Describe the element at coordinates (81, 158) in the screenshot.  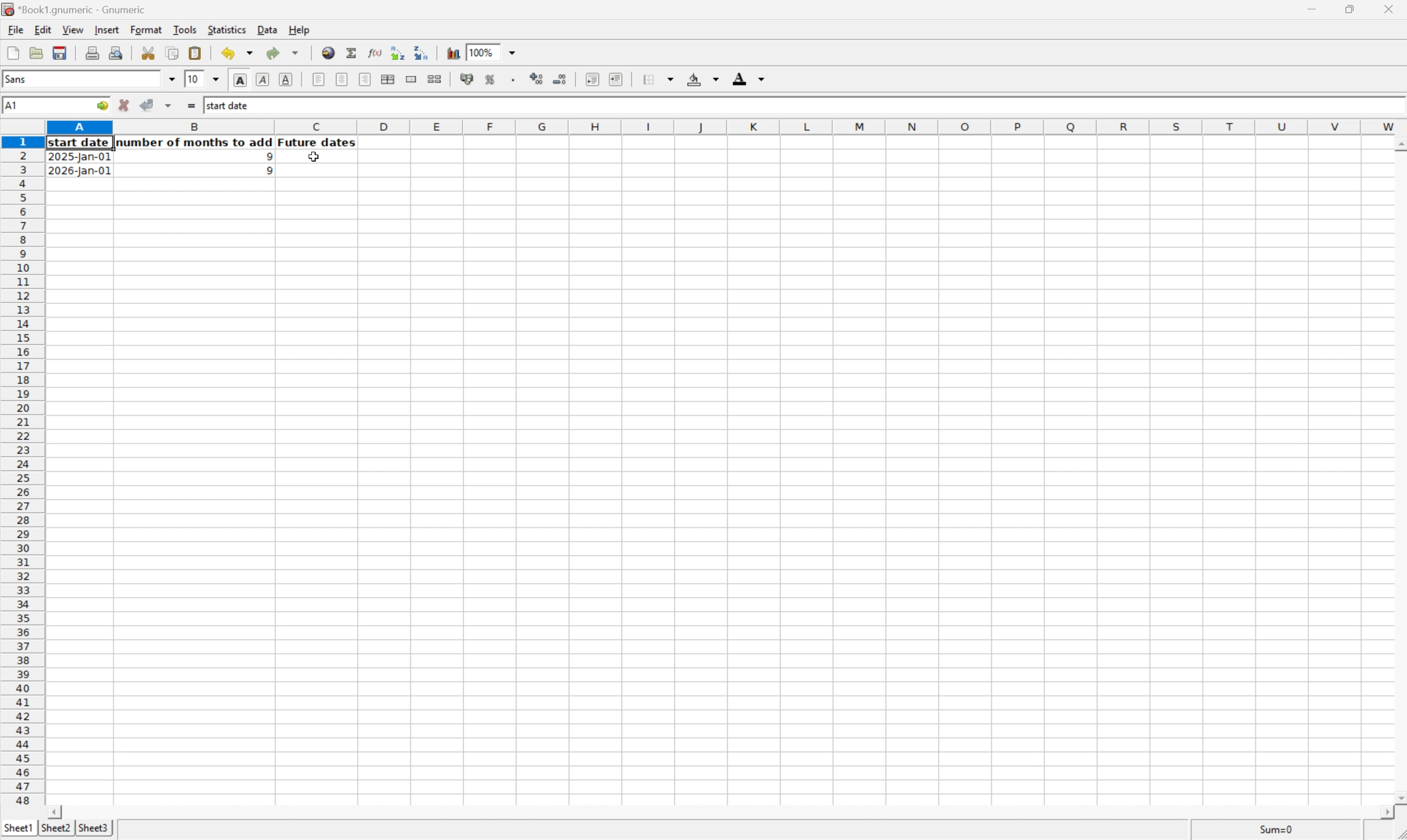
I see `2025-jan-01` at that location.